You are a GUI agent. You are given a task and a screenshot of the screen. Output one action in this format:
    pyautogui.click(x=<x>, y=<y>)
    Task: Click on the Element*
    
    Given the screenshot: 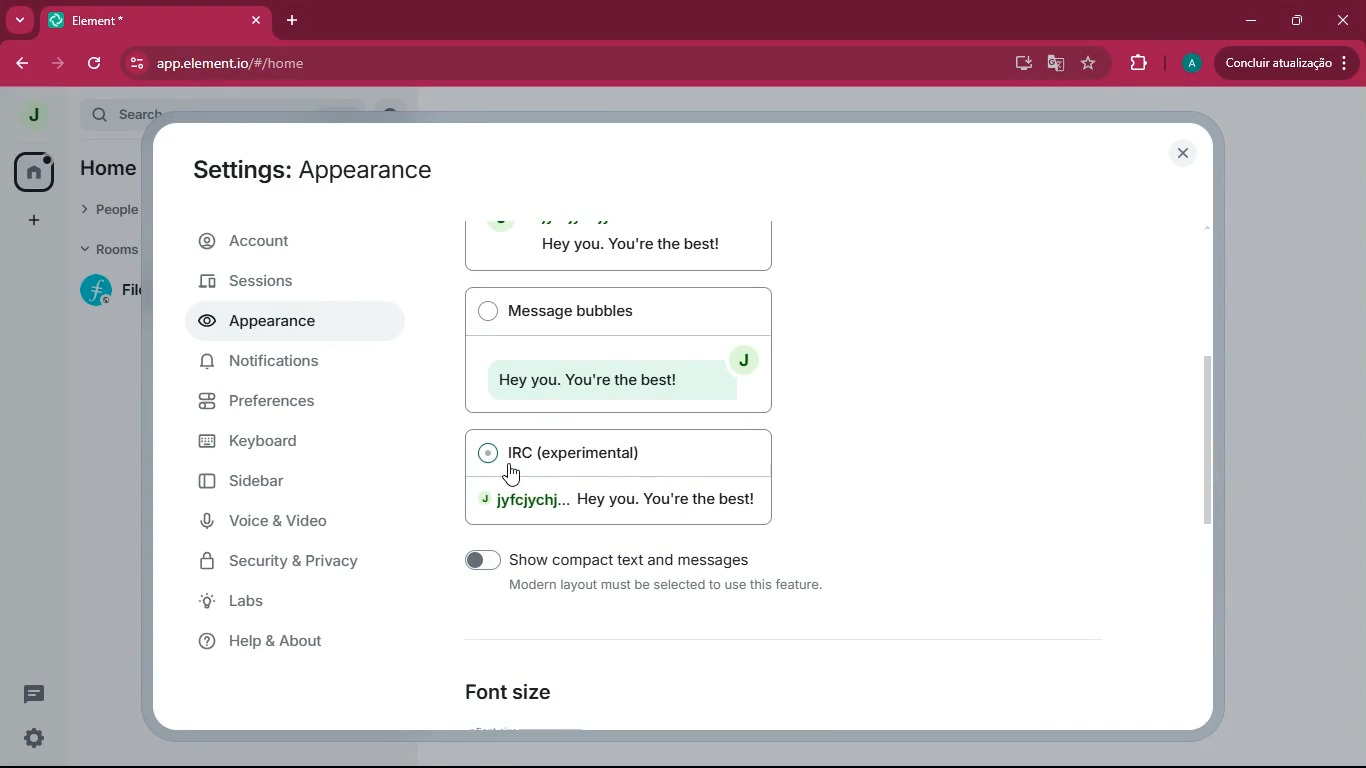 What is the action you would take?
    pyautogui.click(x=140, y=19)
    